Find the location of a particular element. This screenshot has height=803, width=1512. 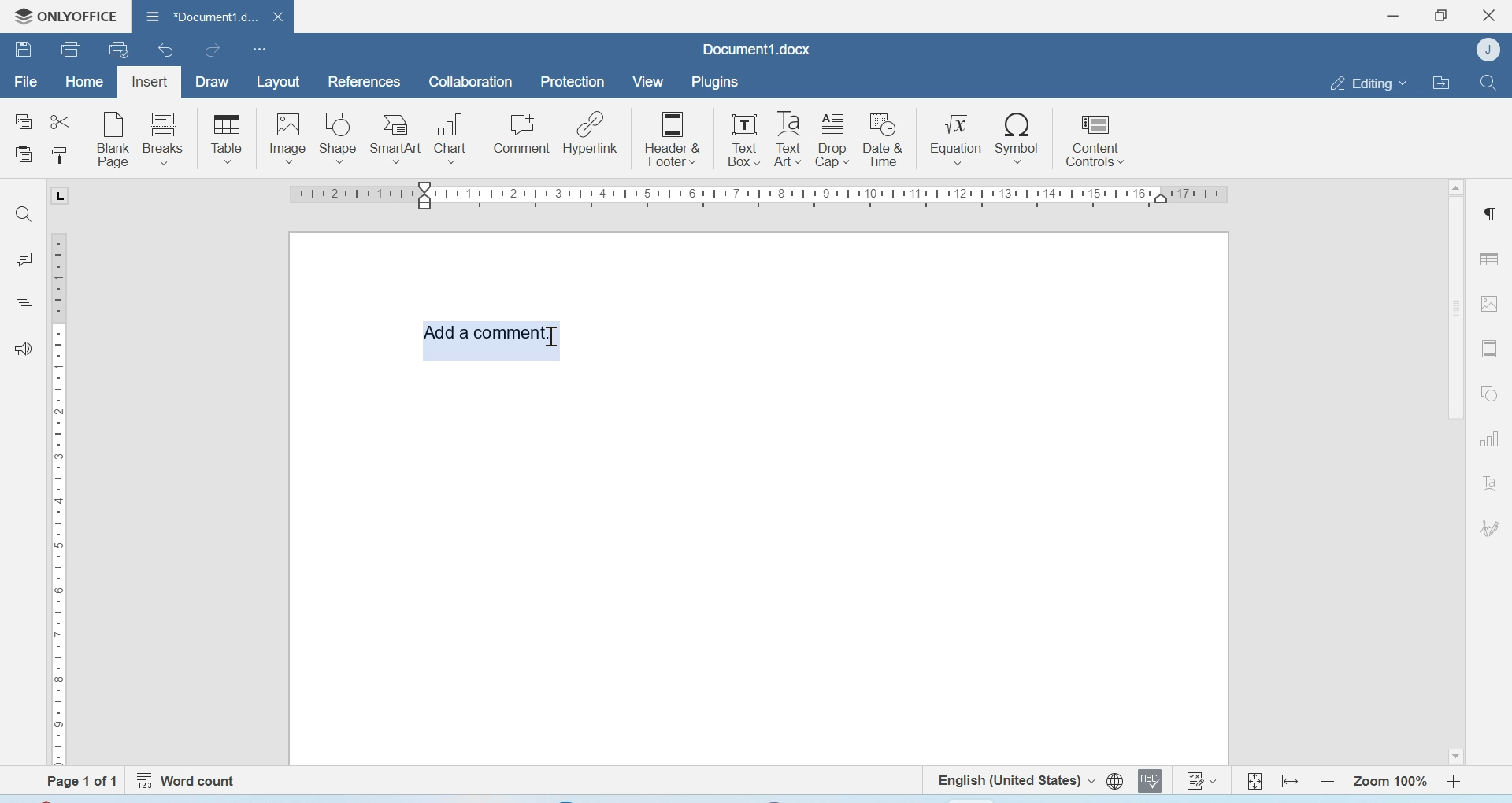

Maximize is located at coordinates (1440, 16).